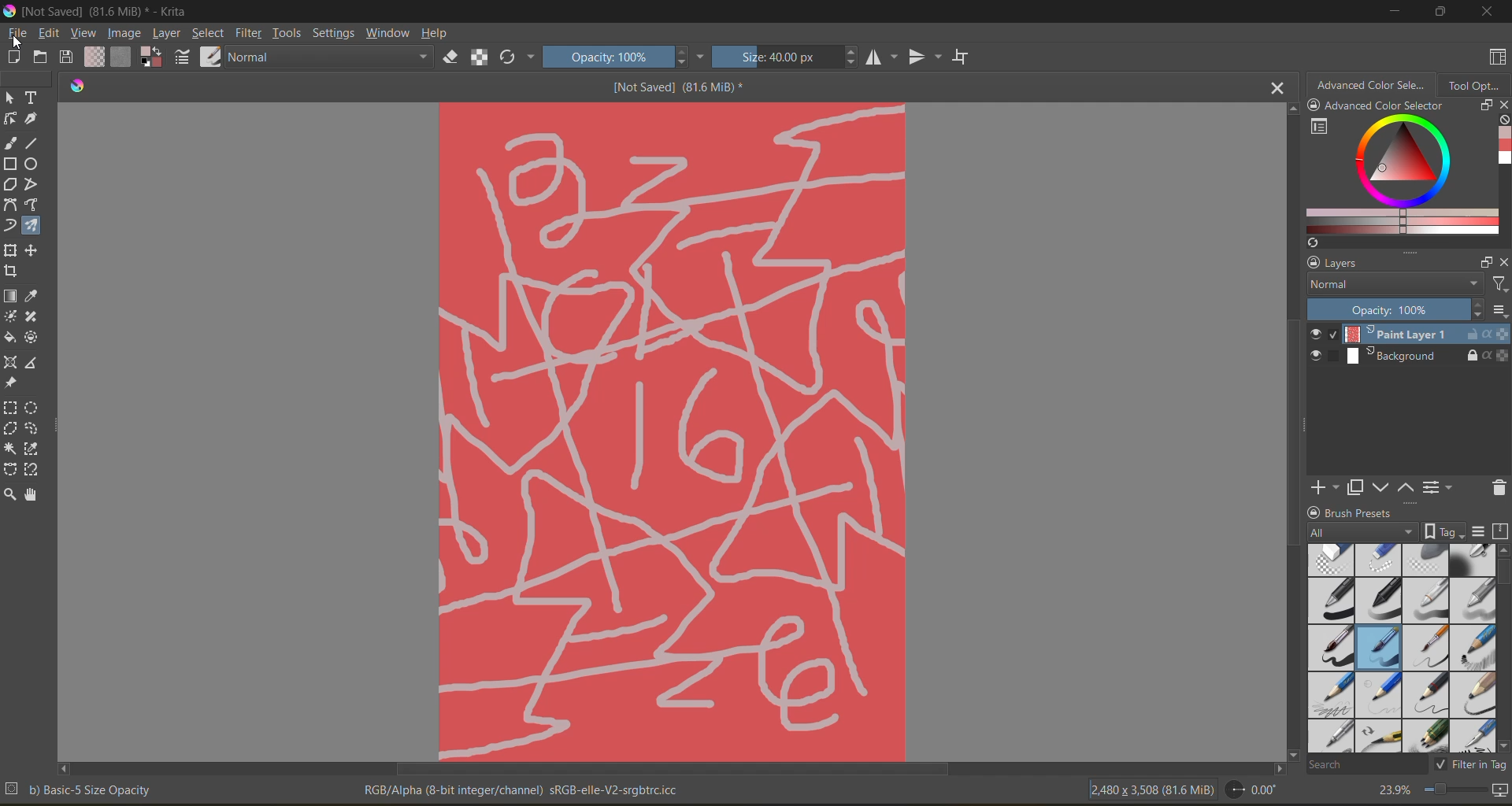 This screenshot has height=806, width=1512. What do you see at coordinates (9, 408) in the screenshot?
I see `tool` at bounding box center [9, 408].